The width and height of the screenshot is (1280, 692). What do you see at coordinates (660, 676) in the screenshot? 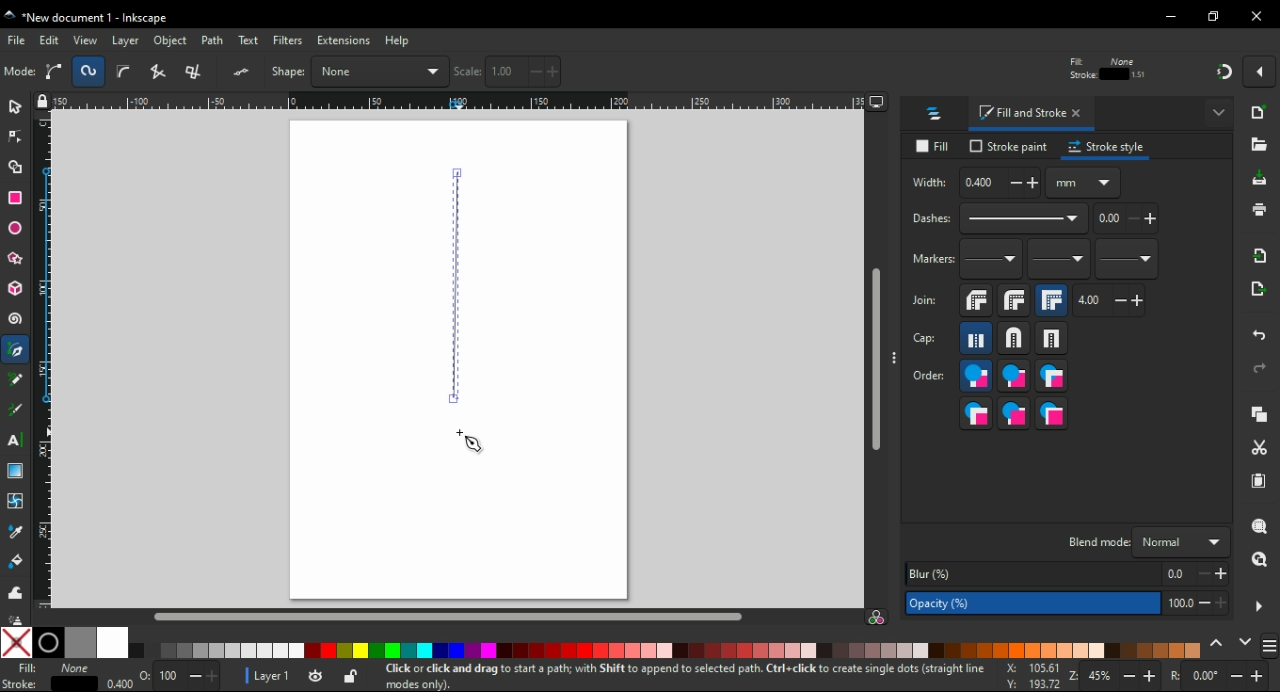
I see `Click or click and drag to start a path, with Shift to append to selected paths.` at bounding box center [660, 676].